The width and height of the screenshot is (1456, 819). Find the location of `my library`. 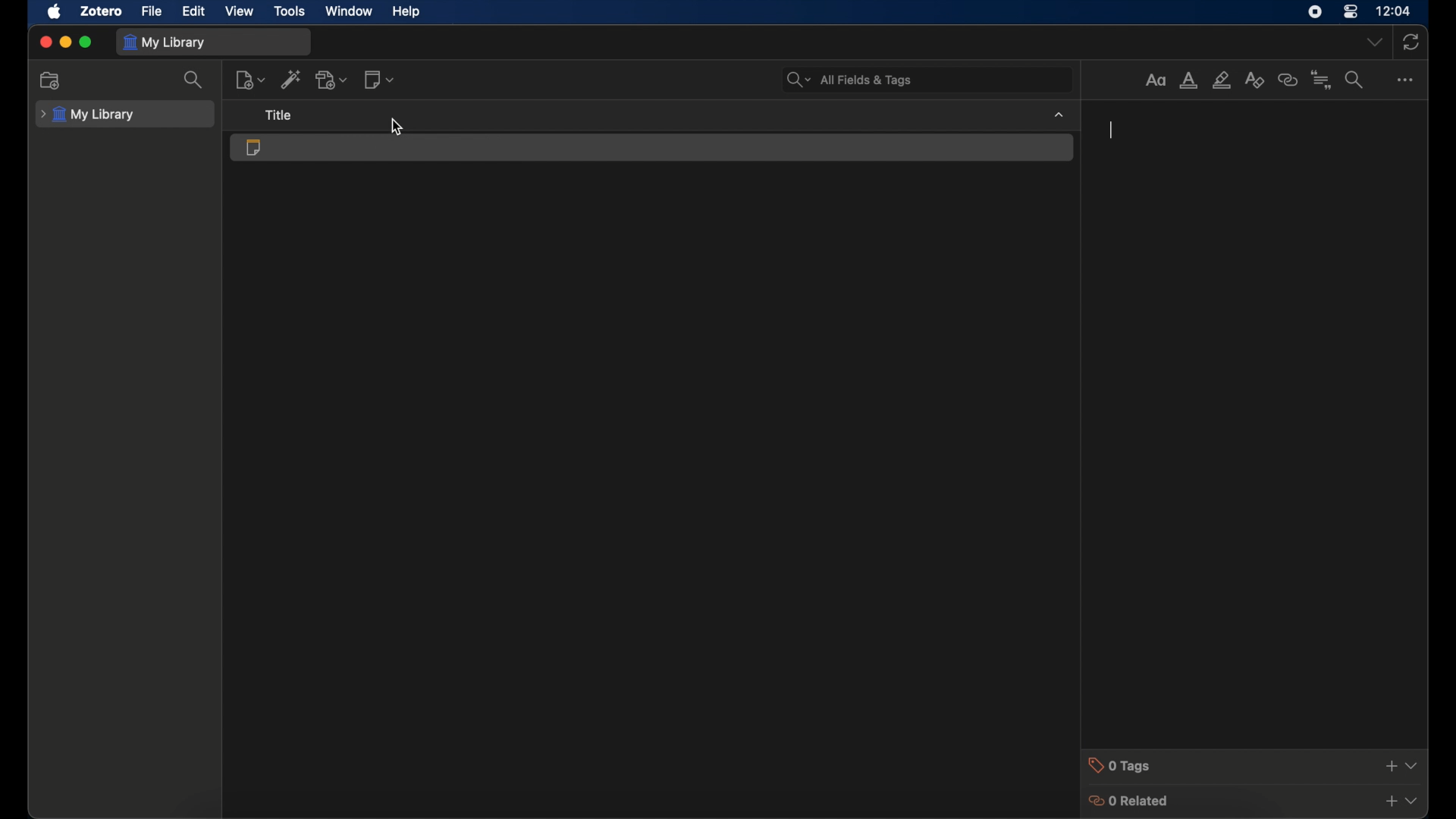

my library is located at coordinates (87, 114).